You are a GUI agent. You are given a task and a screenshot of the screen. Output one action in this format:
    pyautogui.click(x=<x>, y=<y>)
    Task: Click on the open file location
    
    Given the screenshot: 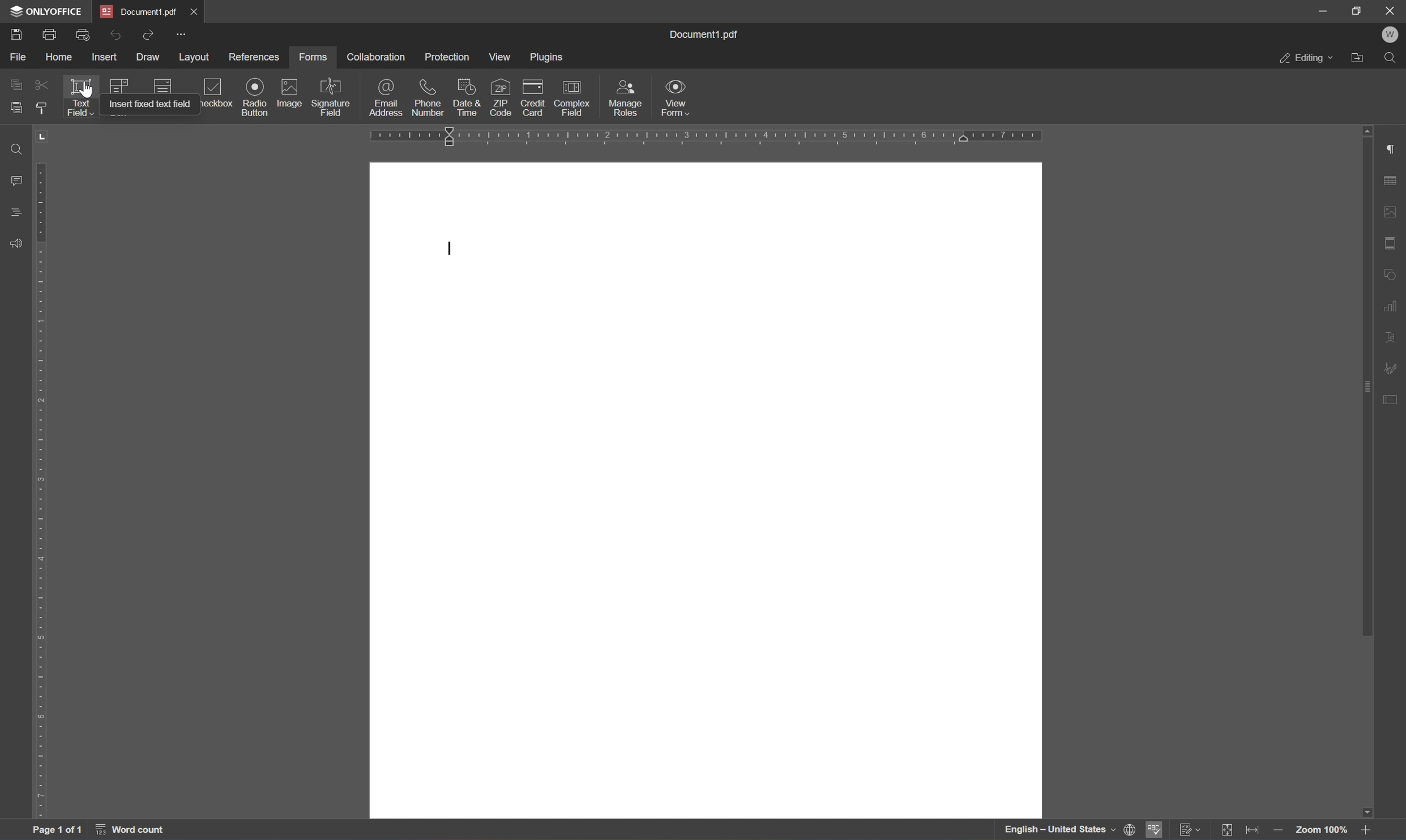 What is the action you would take?
    pyautogui.click(x=1359, y=59)
    